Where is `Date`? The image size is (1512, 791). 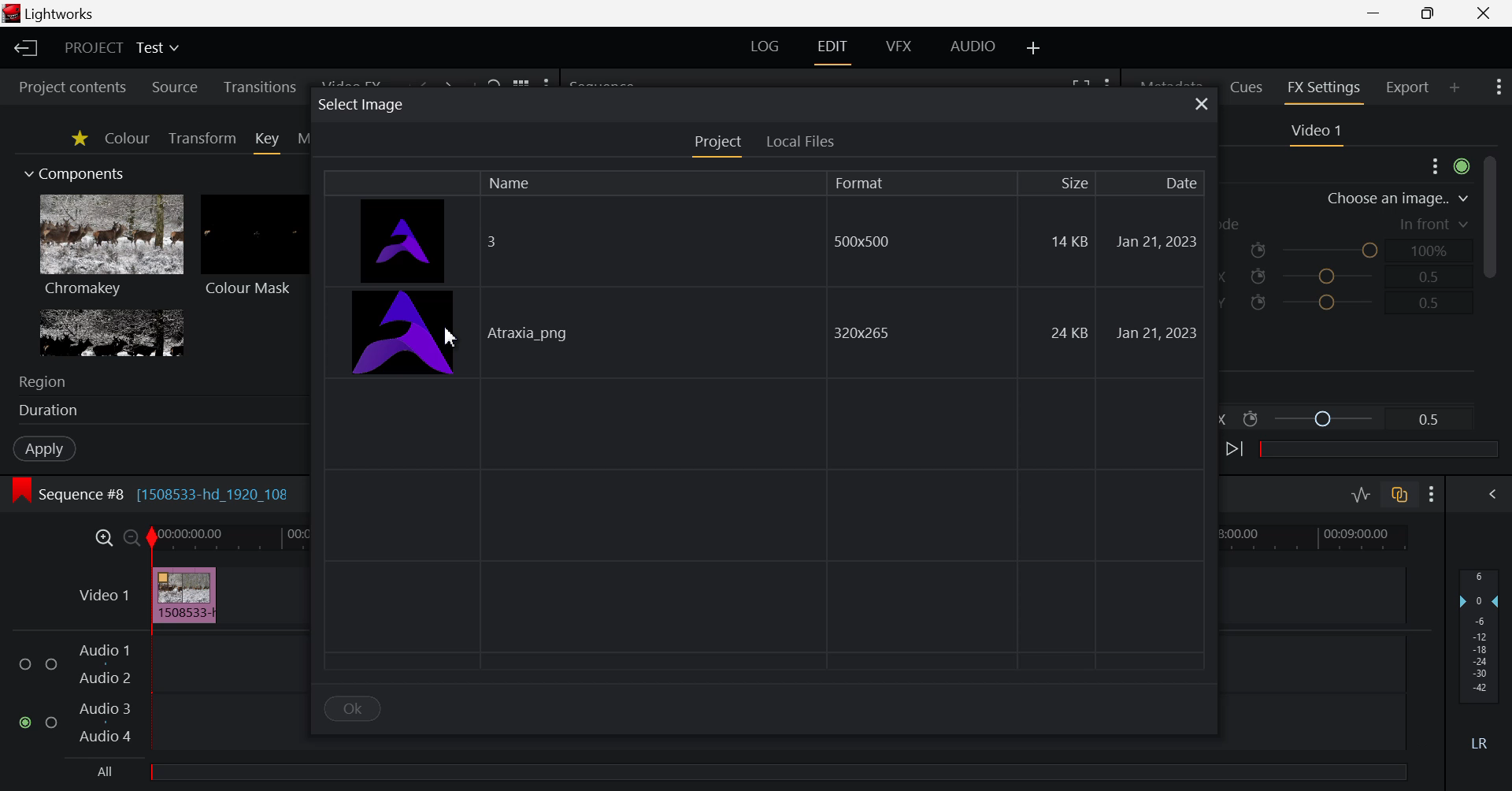
Date is located at coordinates (1180, 184).